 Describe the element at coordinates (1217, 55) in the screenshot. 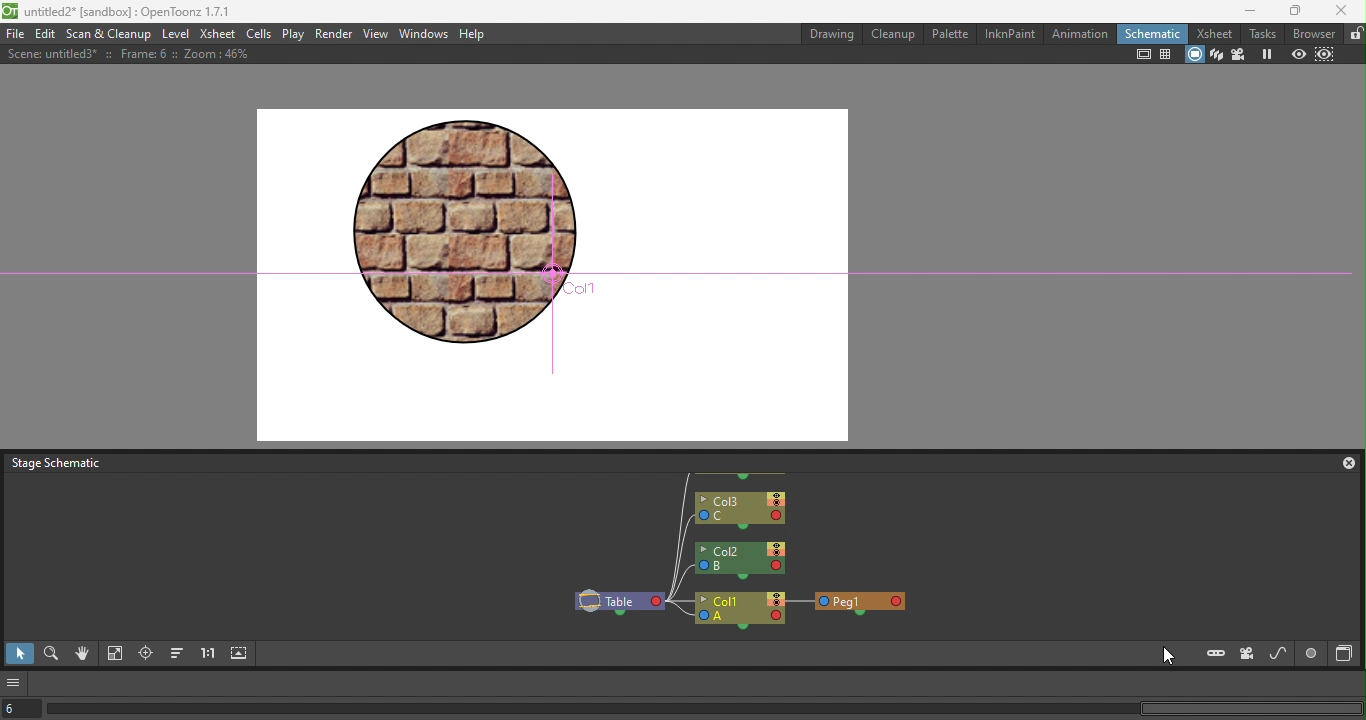

I see `3D view` at that location.